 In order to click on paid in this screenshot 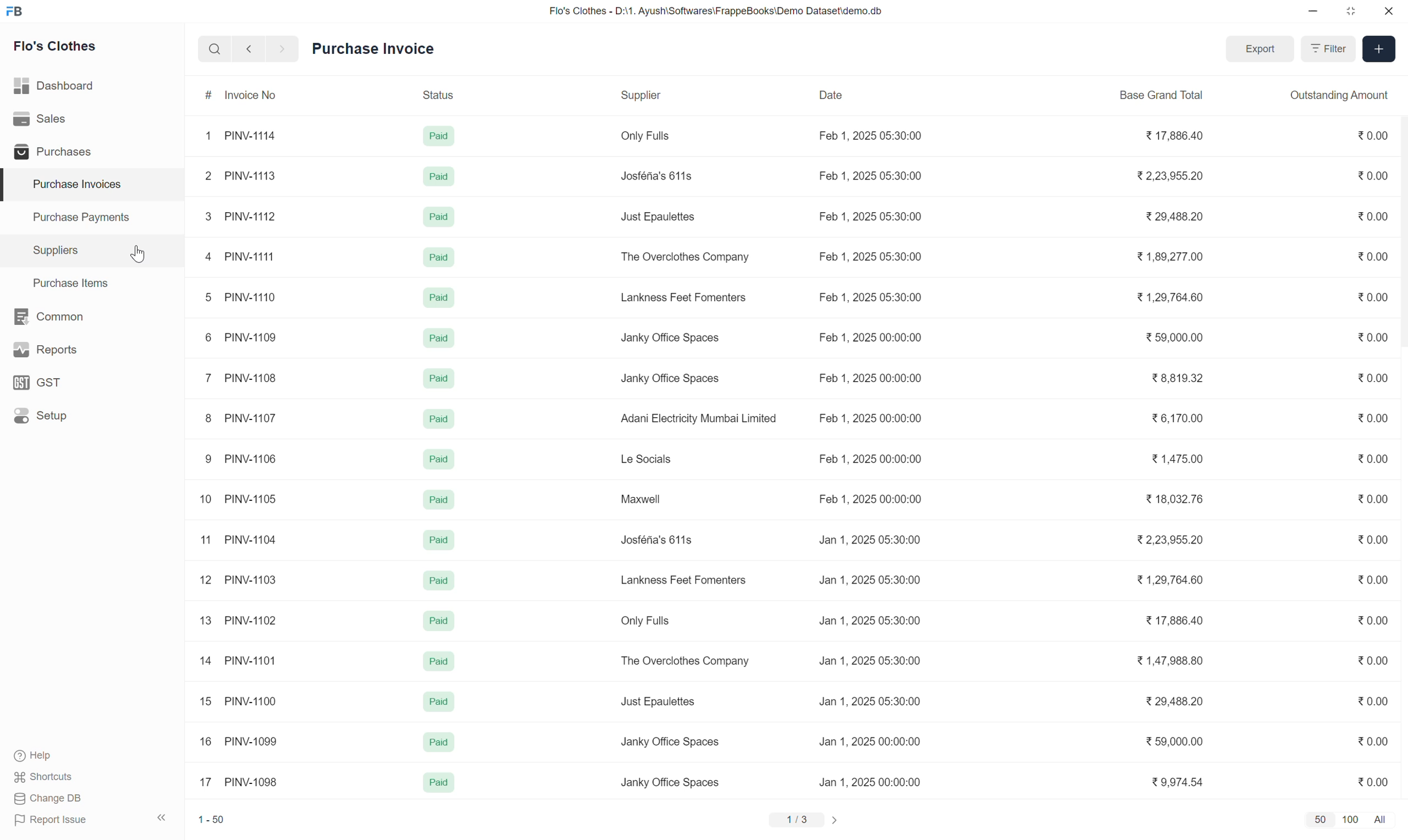, I will do `click(438, 459)`.